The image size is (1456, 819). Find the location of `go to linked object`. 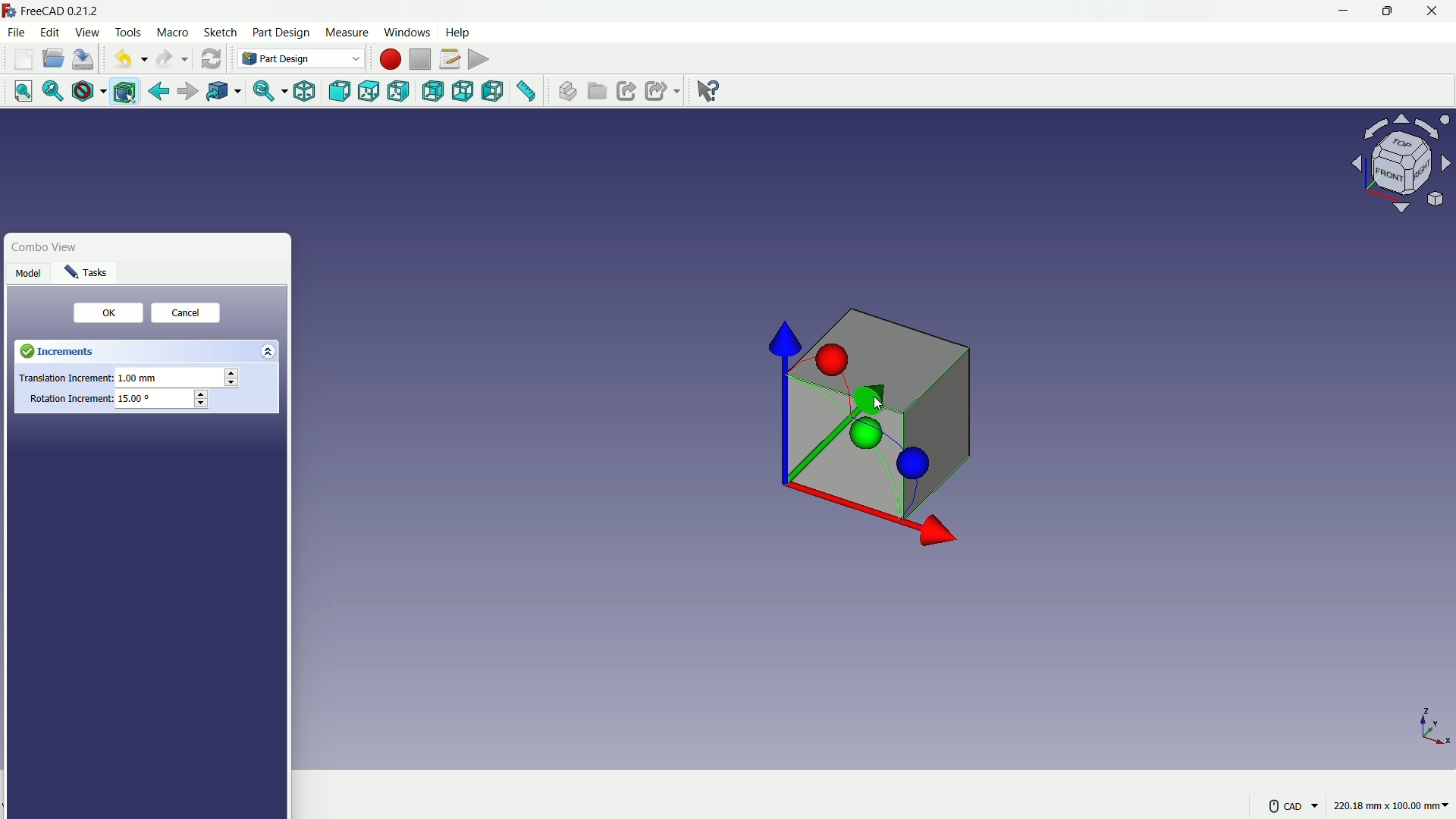

go to linked object is located at coordinates (222, 93).